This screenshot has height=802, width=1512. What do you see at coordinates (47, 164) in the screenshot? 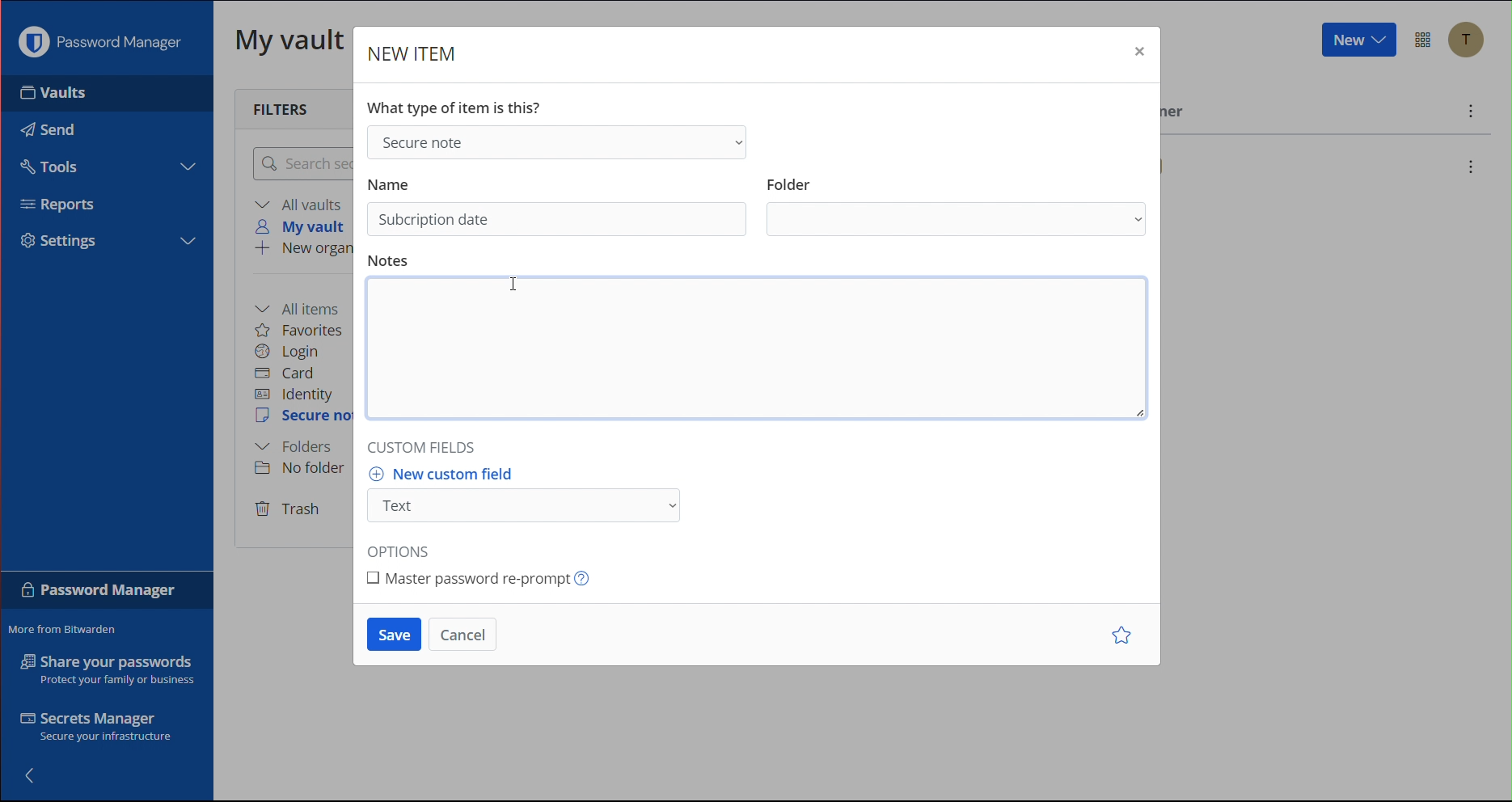
I see `Tools` at bounding box center [47, 164].